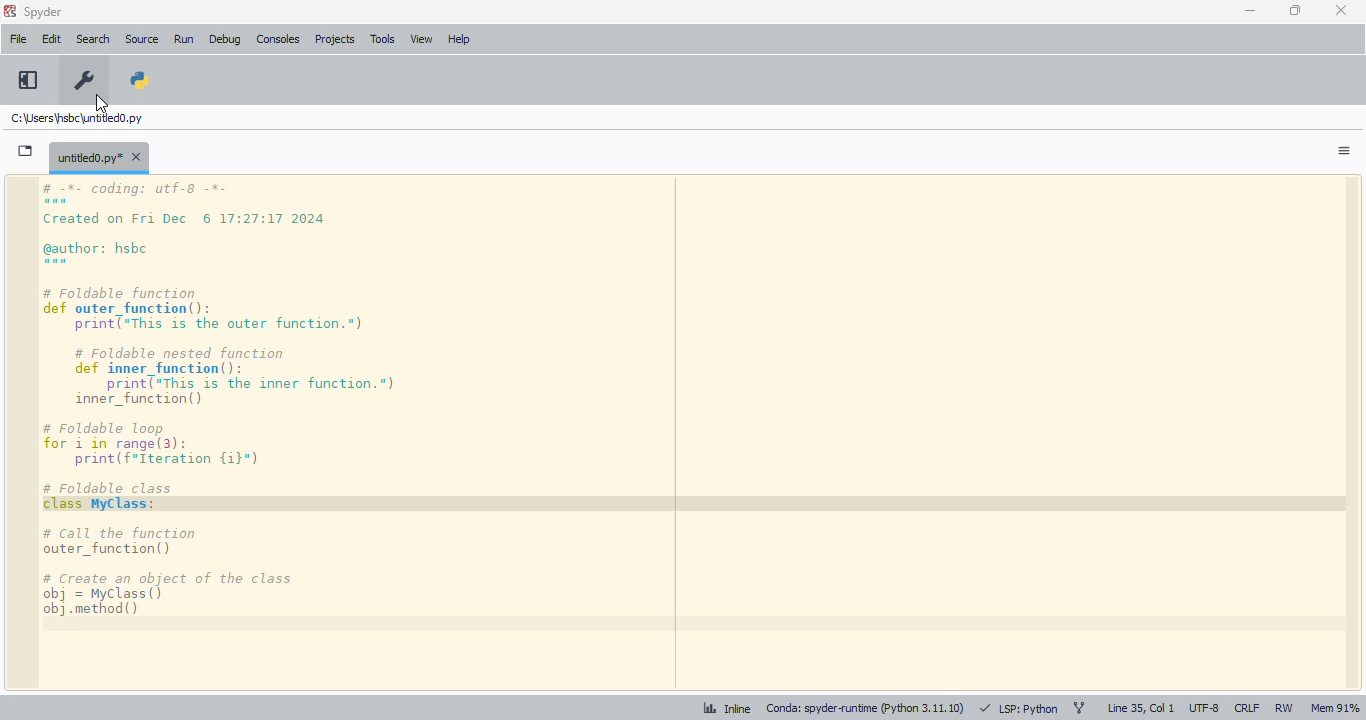 The image size is (1366, 720). I want to click on cursor, so click(102, 104).